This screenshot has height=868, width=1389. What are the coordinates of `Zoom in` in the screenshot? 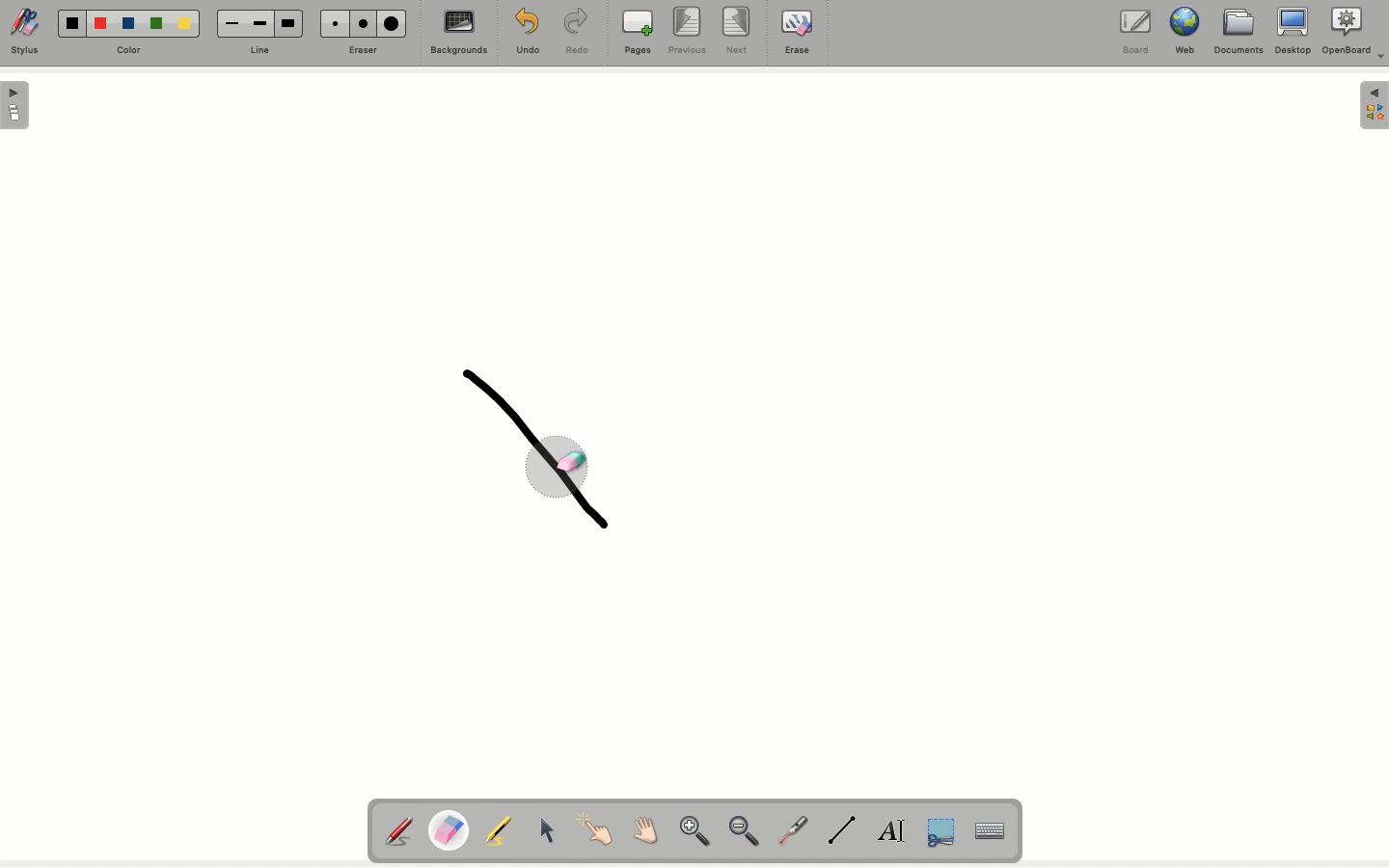 It's located at (694, 832).